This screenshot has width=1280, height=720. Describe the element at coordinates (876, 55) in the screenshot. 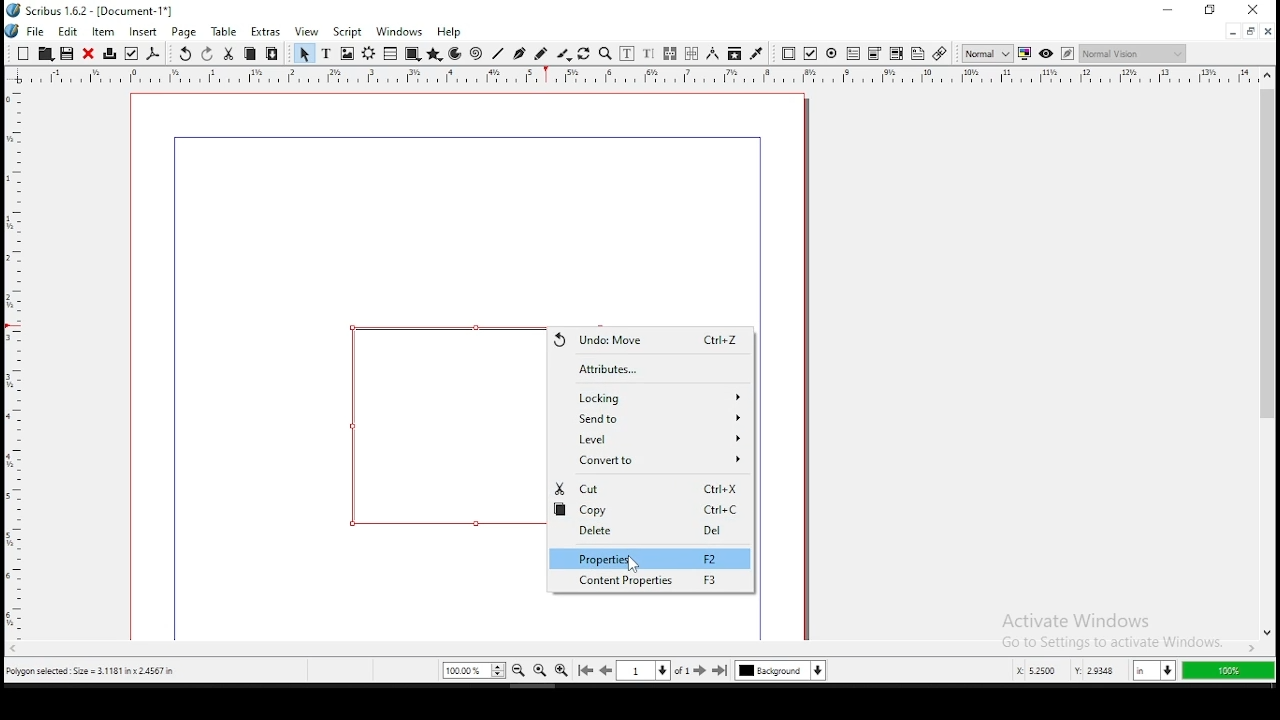

I see `pdf list box` at that location.